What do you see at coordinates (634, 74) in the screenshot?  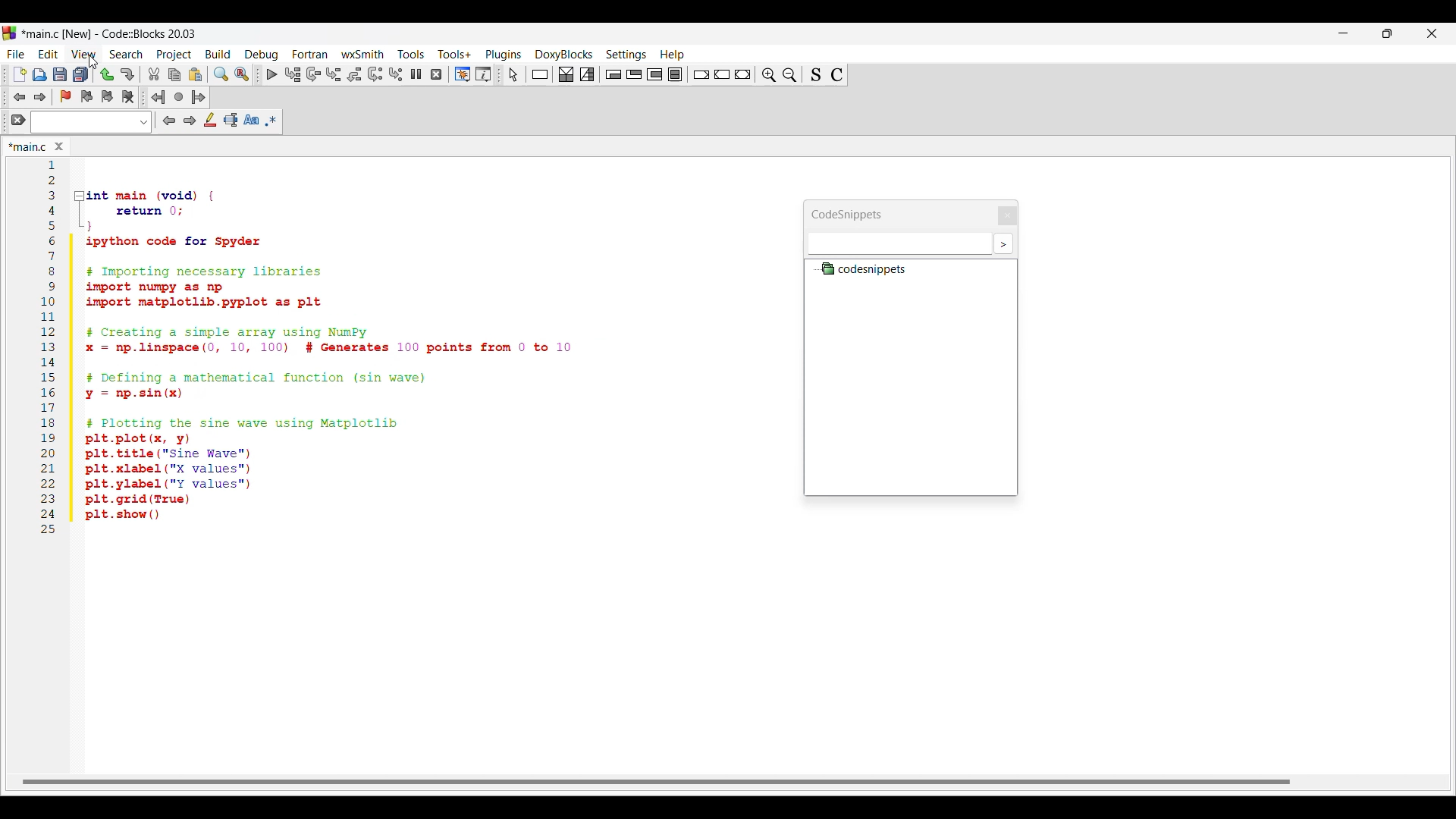 I see `Exit condition loop` at bounding box center [634, 74].